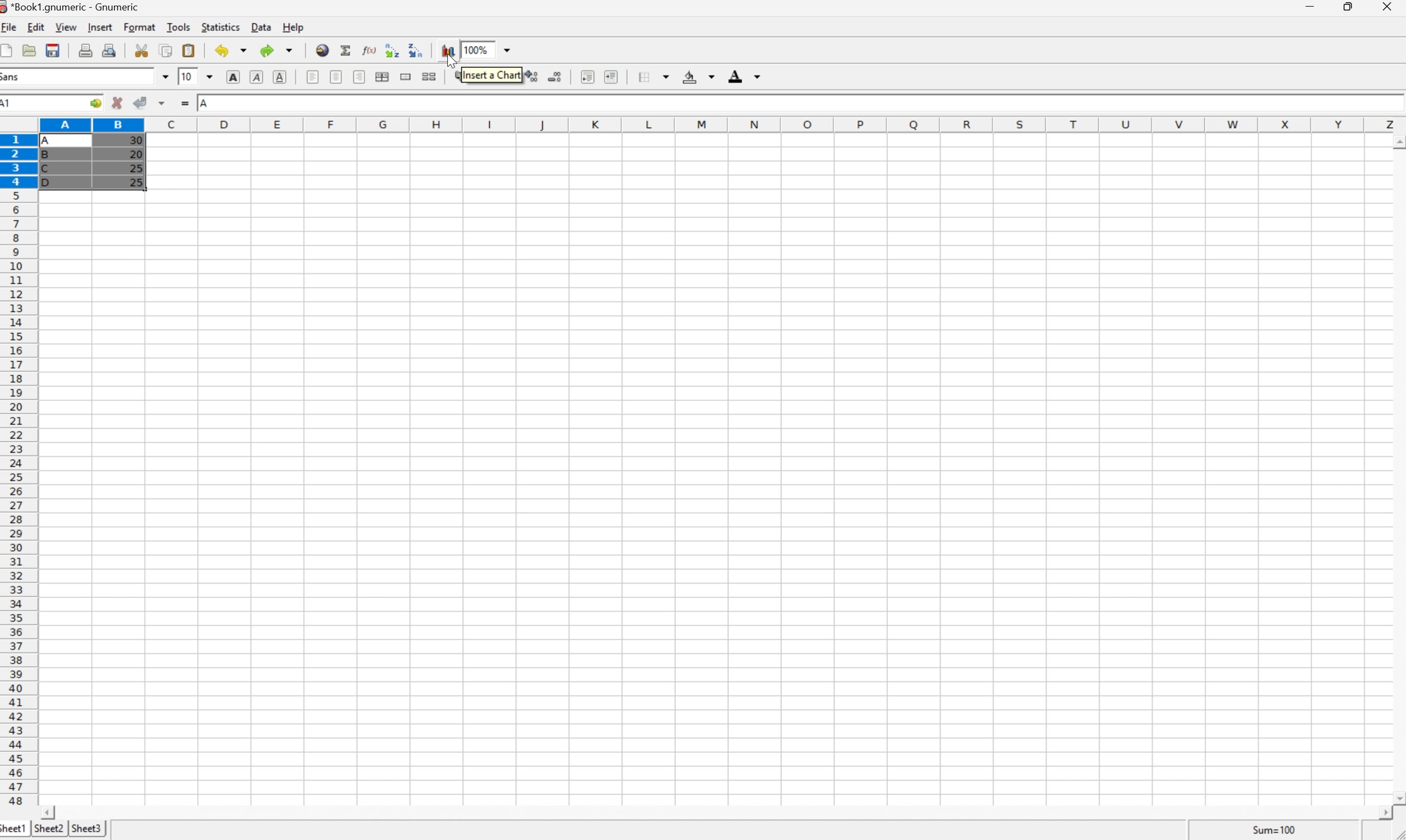 The image size is (1406, 840). I want to click on Insert x Chart, so click(492, 75).